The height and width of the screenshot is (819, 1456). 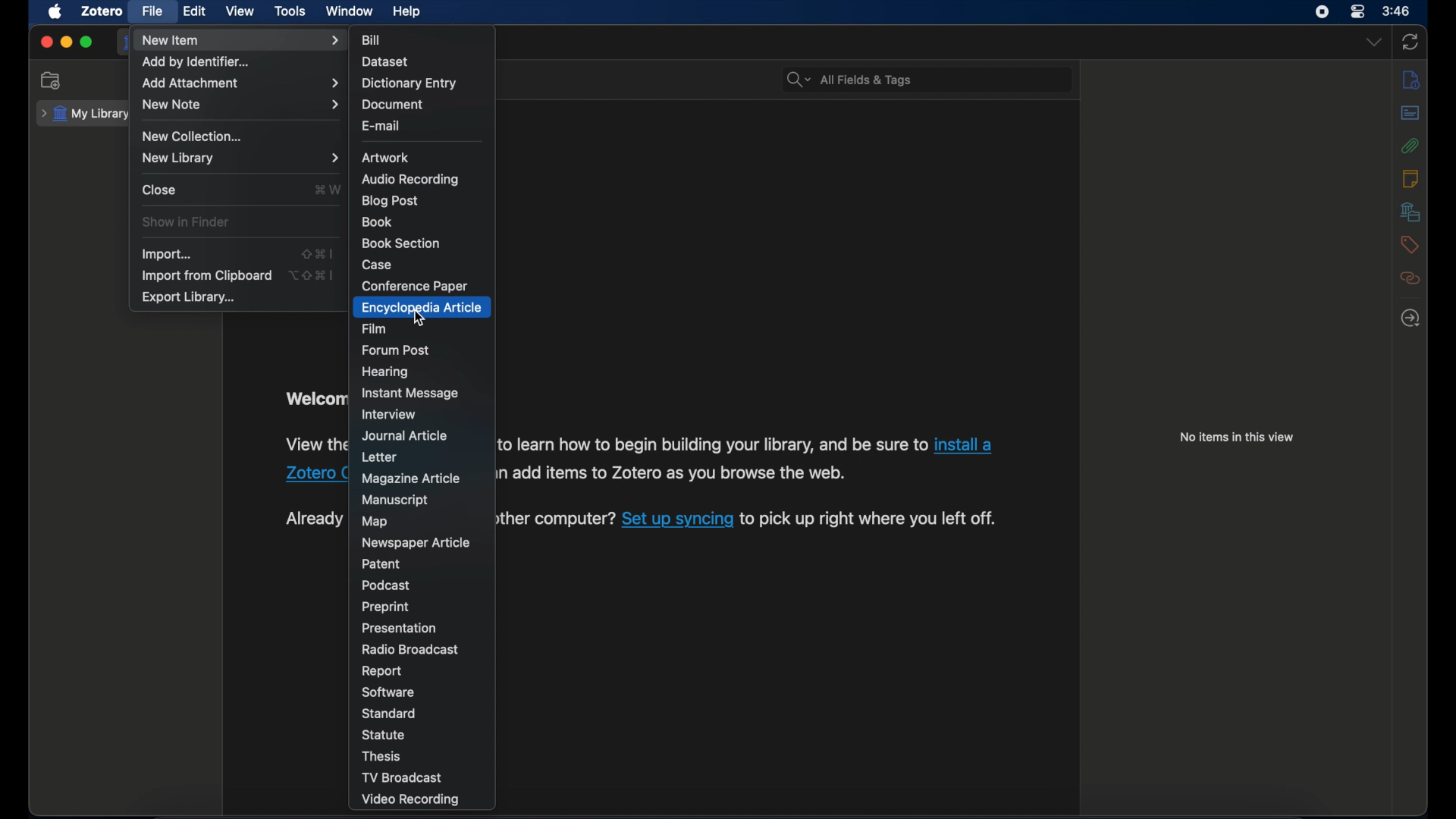 What do you see at coordinates (315, 400) in the screenshot?
I see `welcome to zotero` at bounding box center [315, 400].